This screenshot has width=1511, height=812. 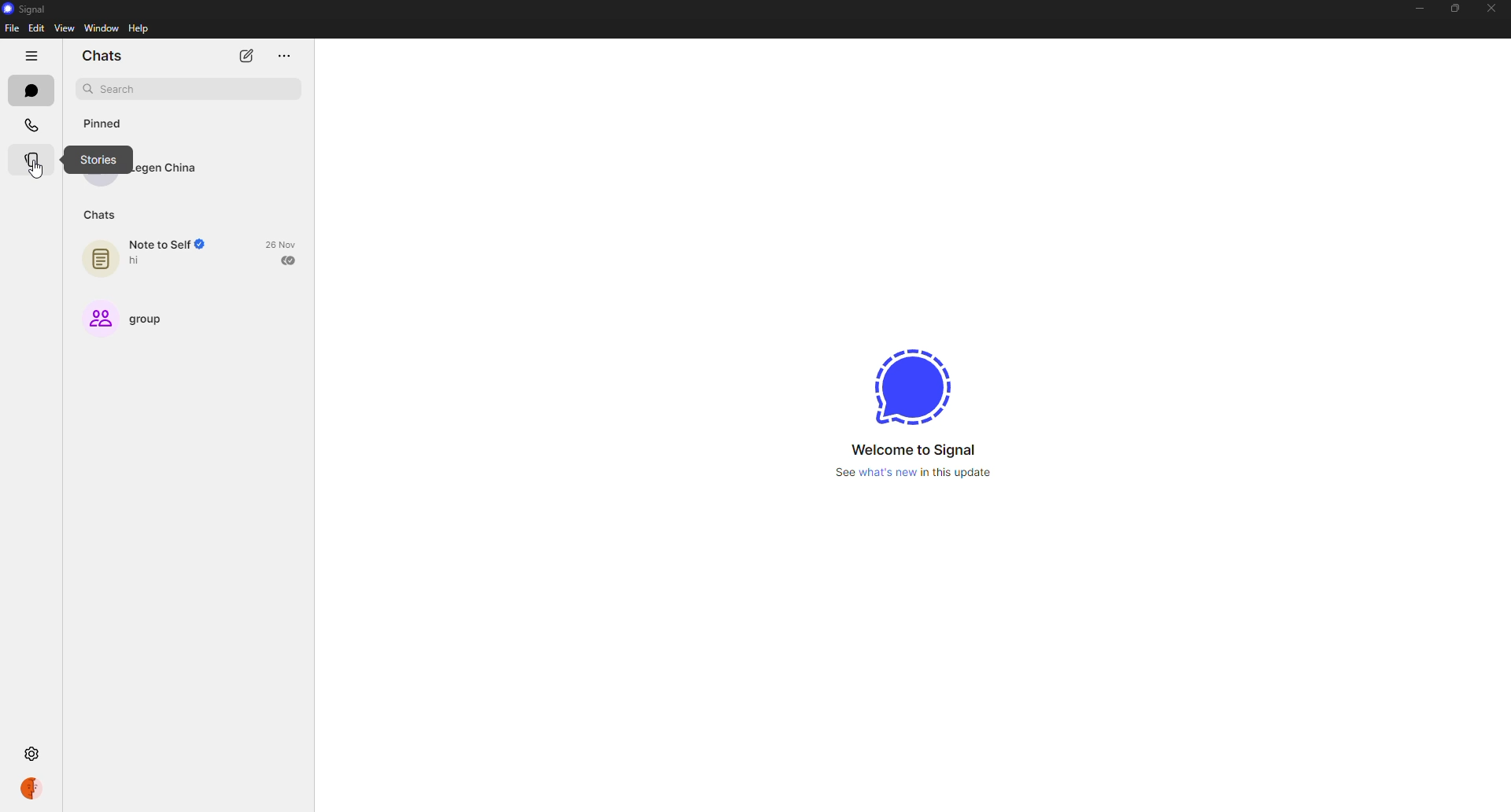 I want to click on maximize, so click(x=1455, y=9).